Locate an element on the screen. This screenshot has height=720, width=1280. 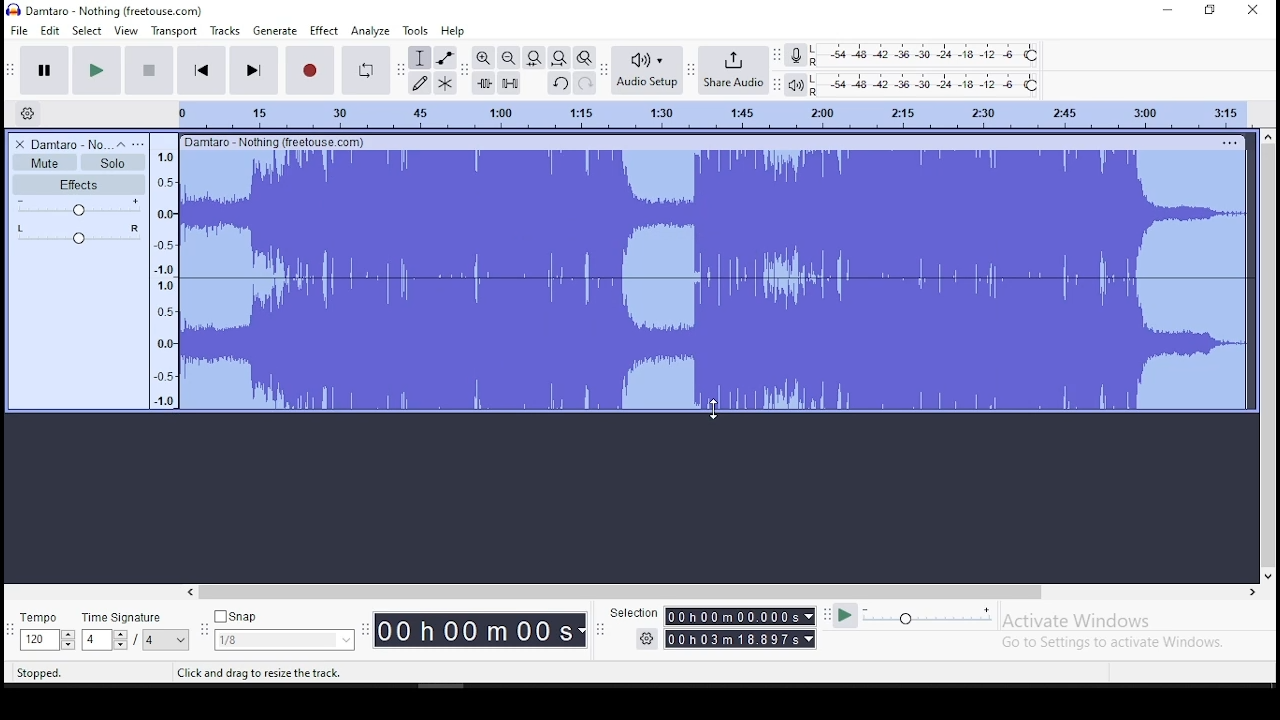
Drop down is located at coordinates (807, 615).